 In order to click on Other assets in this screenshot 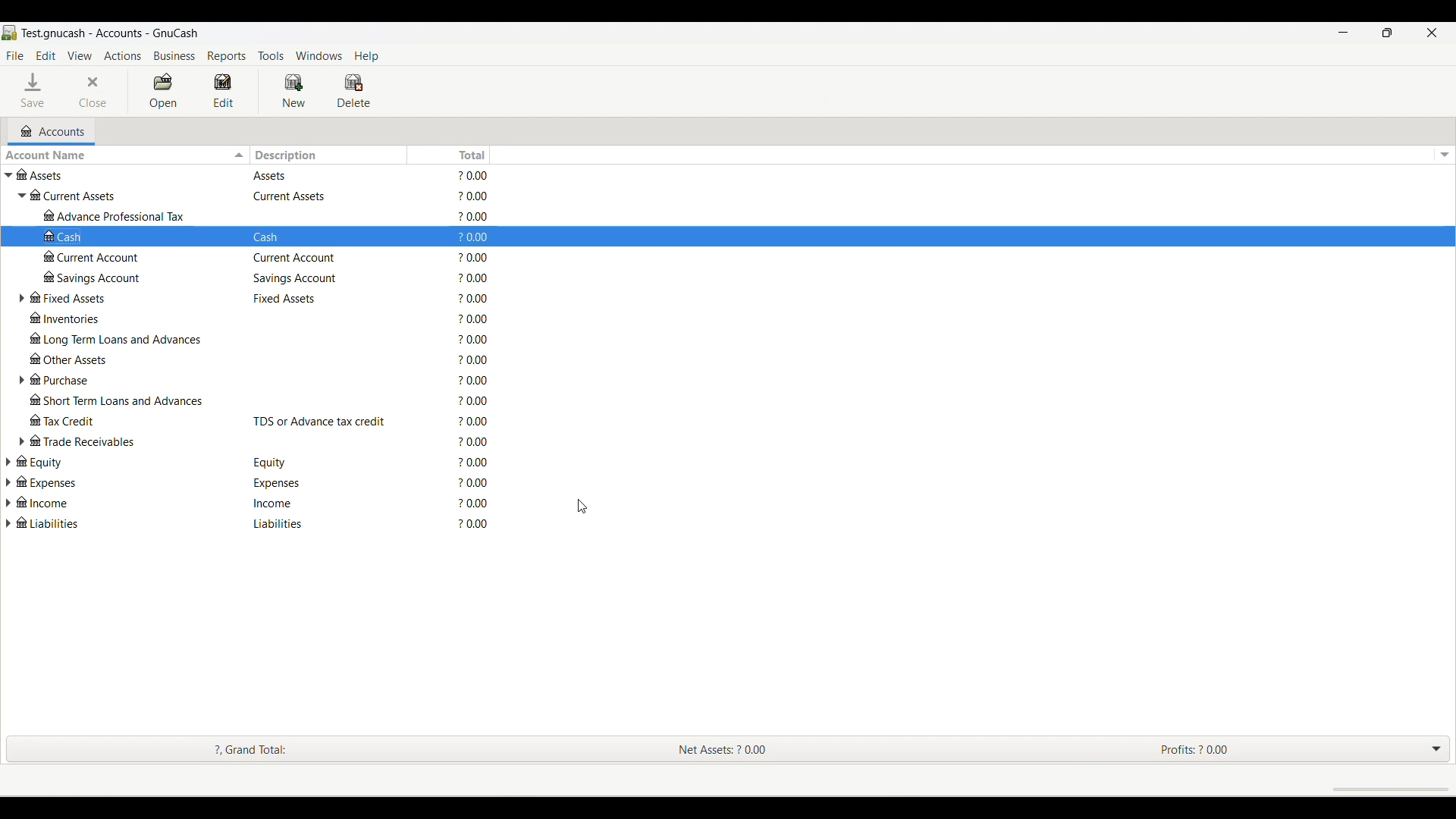, I will do `click(127, 358)`.